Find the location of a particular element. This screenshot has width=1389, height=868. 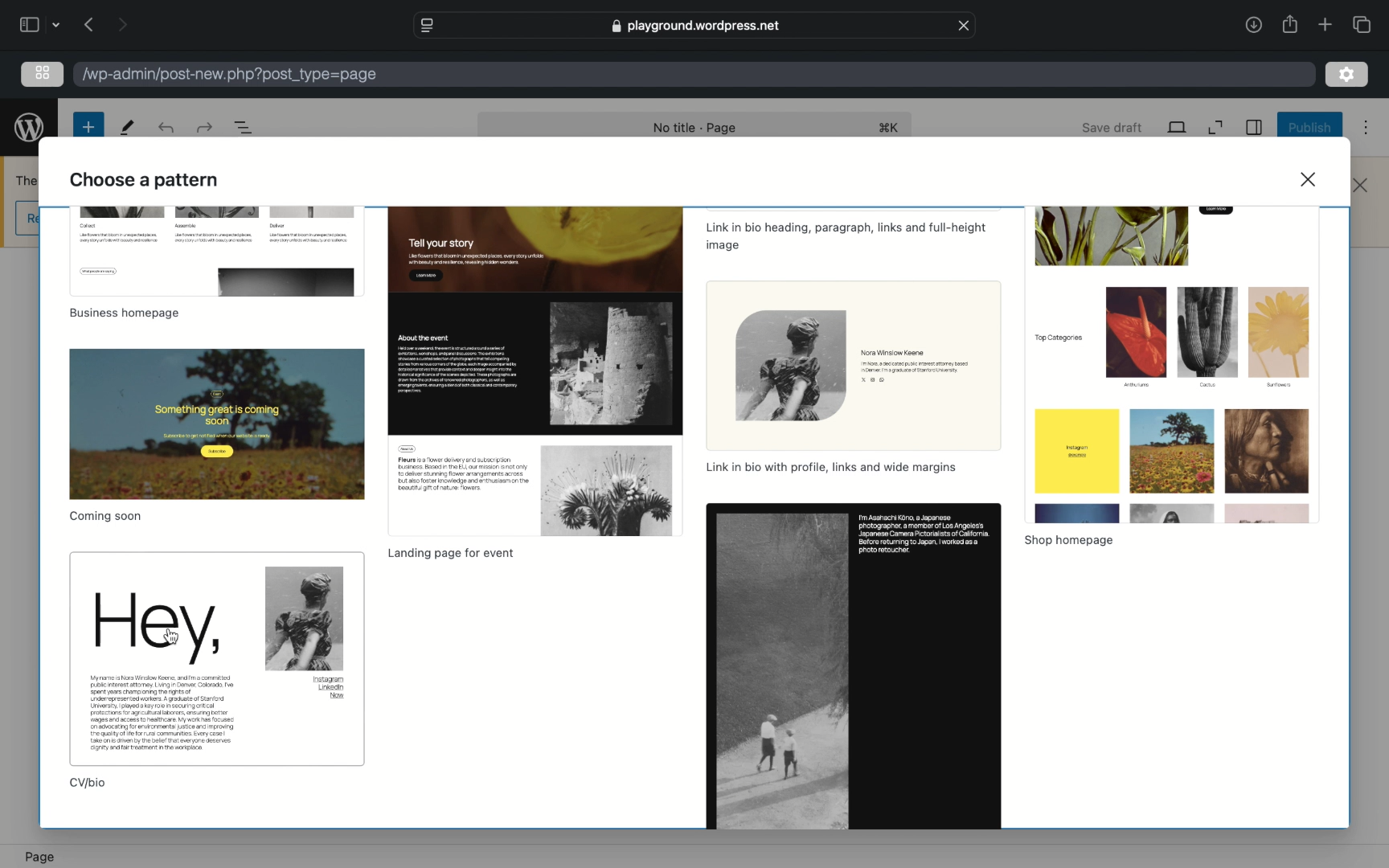

share is located at coordinates (1289, 24).